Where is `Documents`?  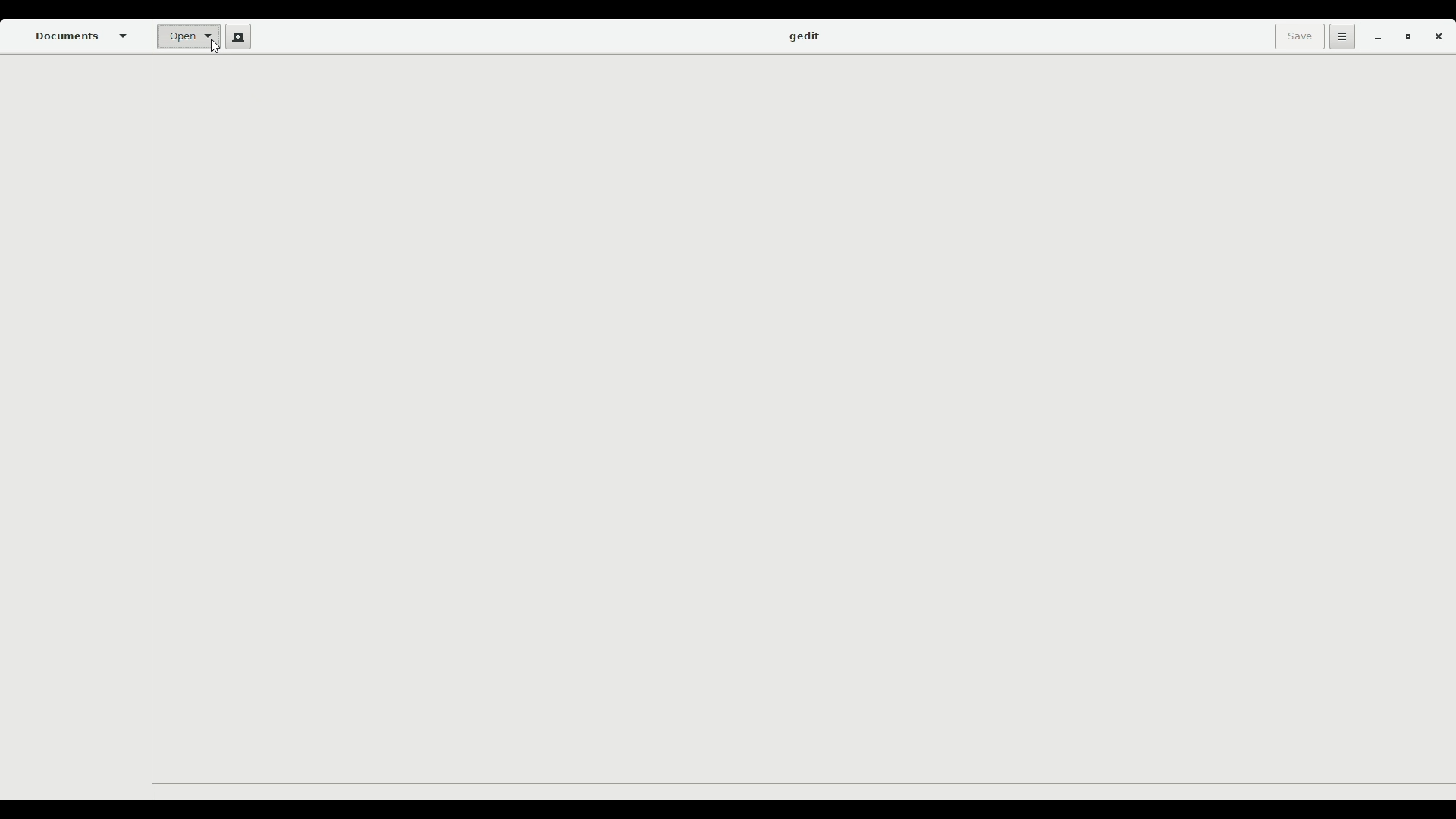 Documents is located at coordinates (83, 36).